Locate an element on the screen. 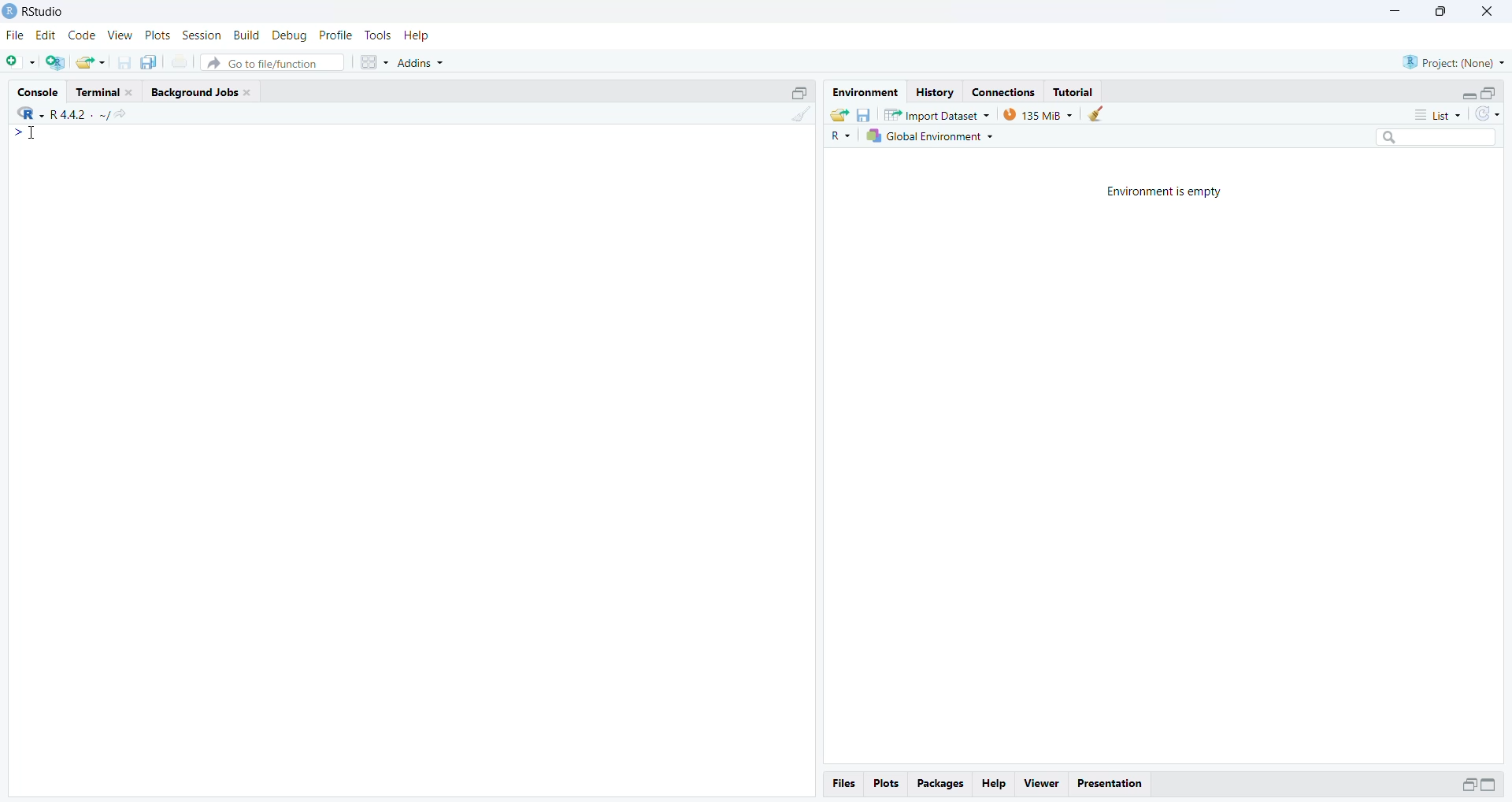 Image resolution: width=1512 pixels, height=802 pixels. Debug is located at coordinates (289, 35).